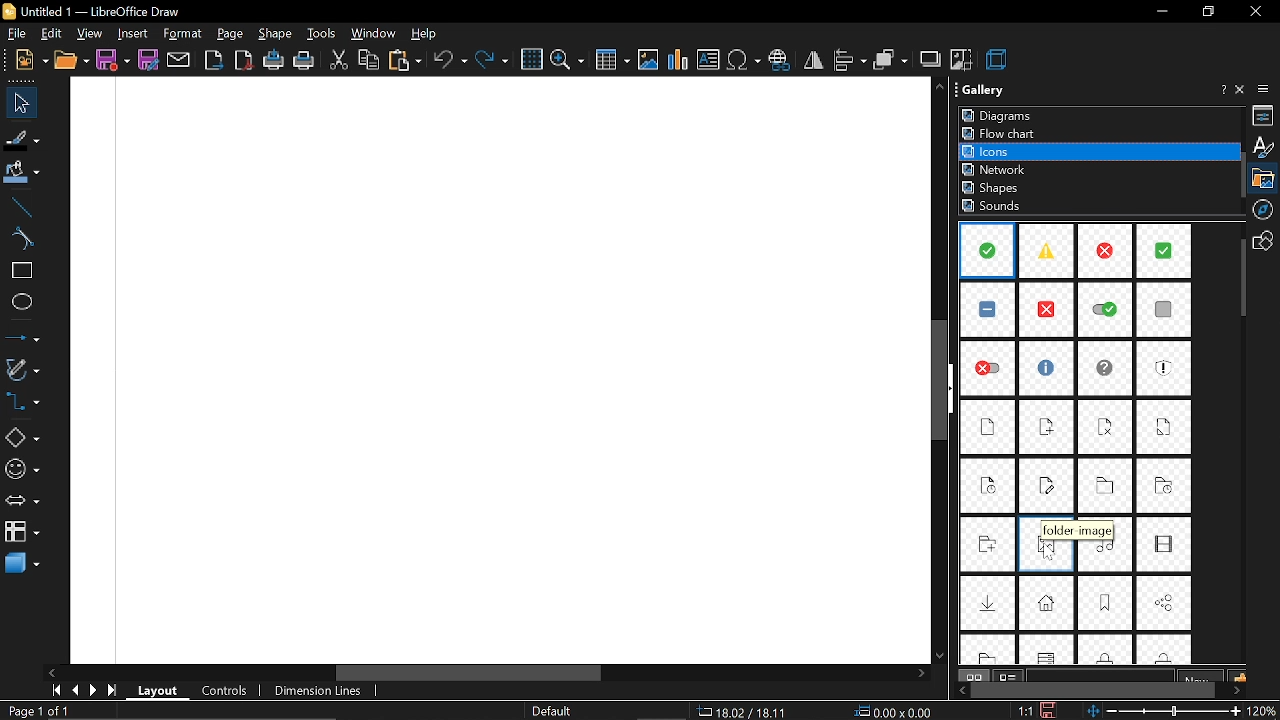 Image resolution: width=1280 pixels, height=720 pixels. What do you see at coordinates (1005, 93) in the screenshot?
I see `Gallery` at bounding box center [1005, 93].